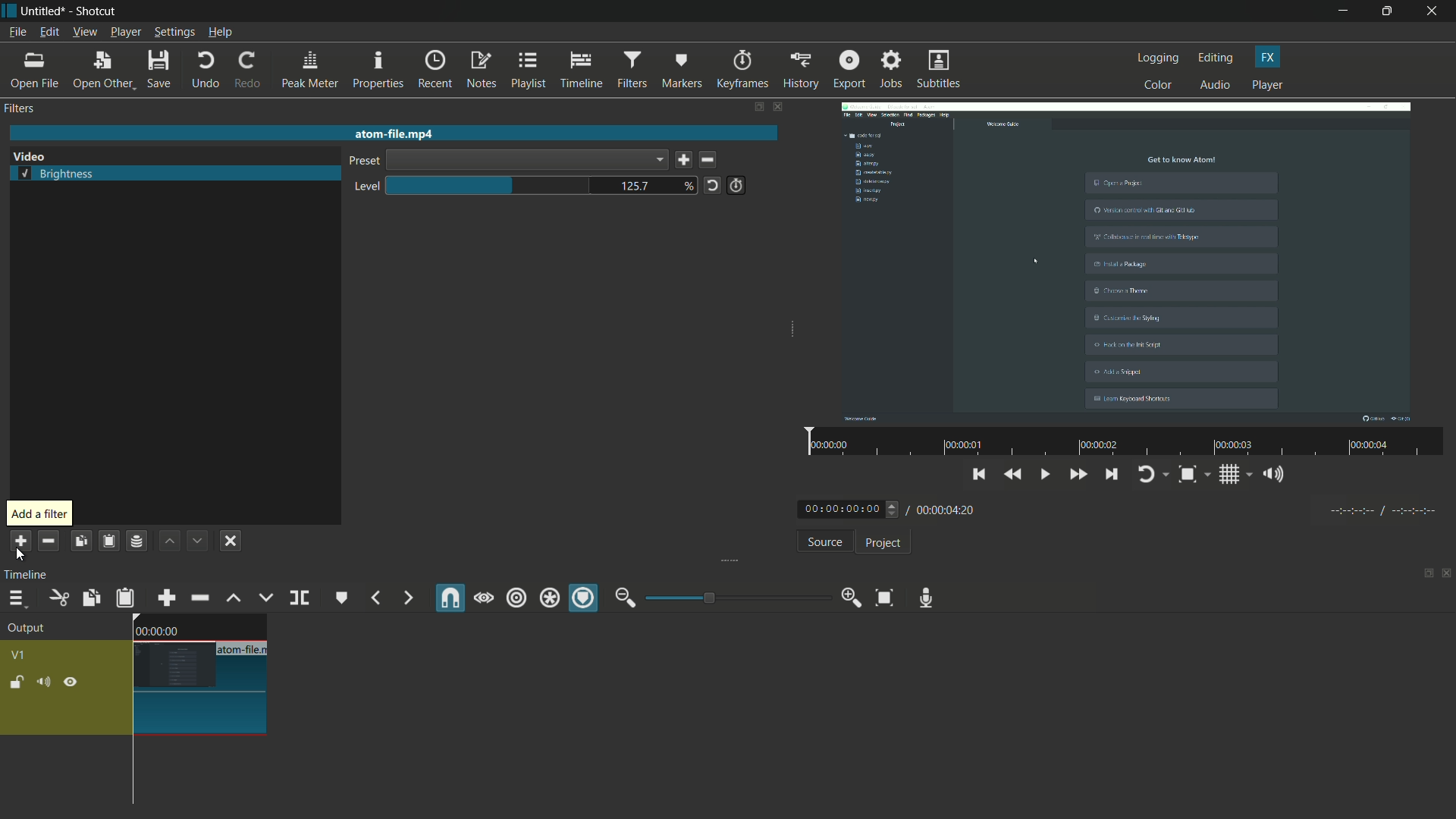  What do you see at coordinates (29, 157) in the screenshot?
I see `video` at bounding box center [29, 157].